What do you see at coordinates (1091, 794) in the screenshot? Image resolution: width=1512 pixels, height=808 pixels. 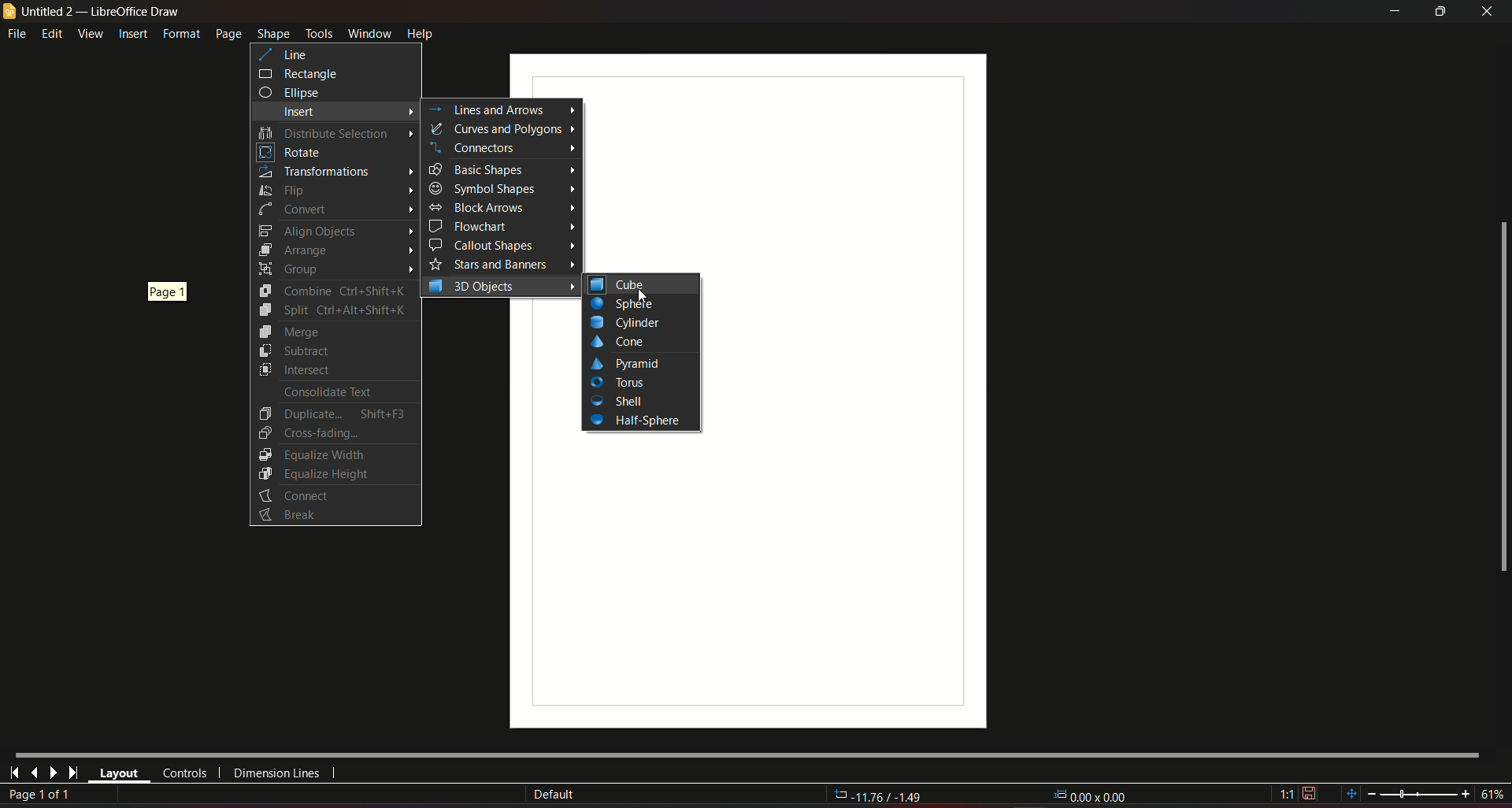 I see `dimensions` at bounding box center [1091, 794].